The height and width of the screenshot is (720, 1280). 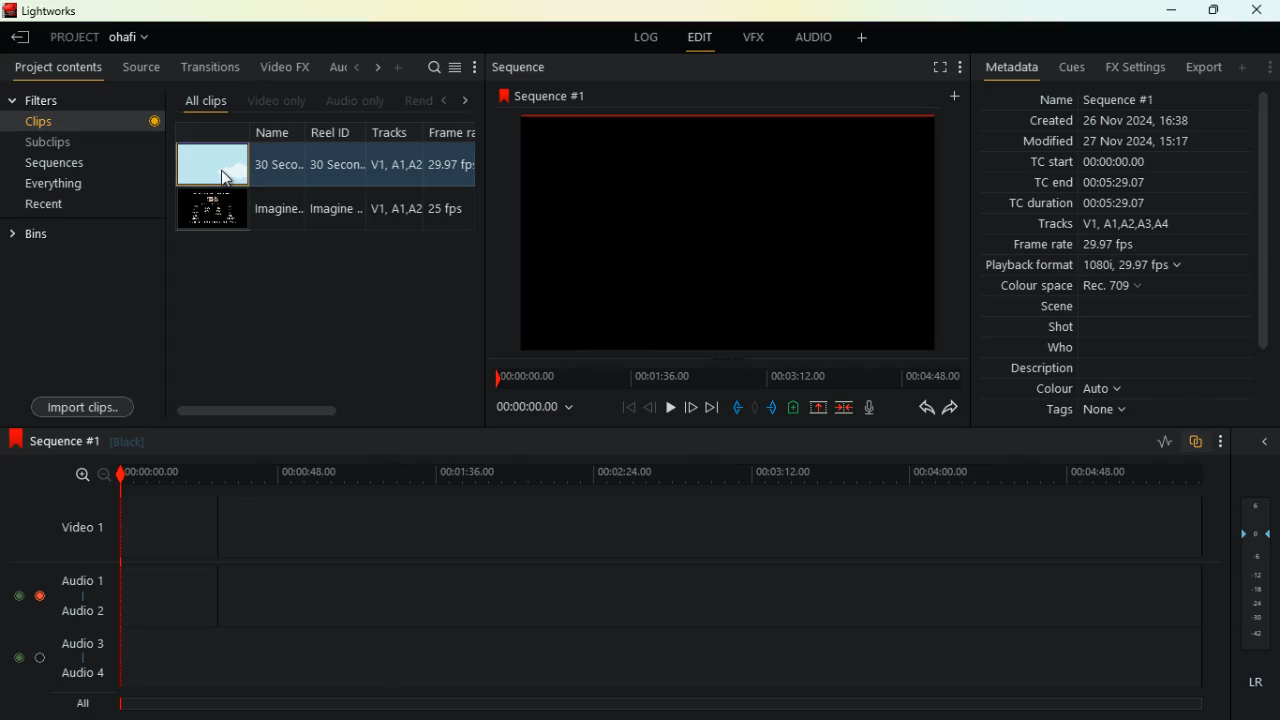 I want to click on battery, so click(x=792, y=409).